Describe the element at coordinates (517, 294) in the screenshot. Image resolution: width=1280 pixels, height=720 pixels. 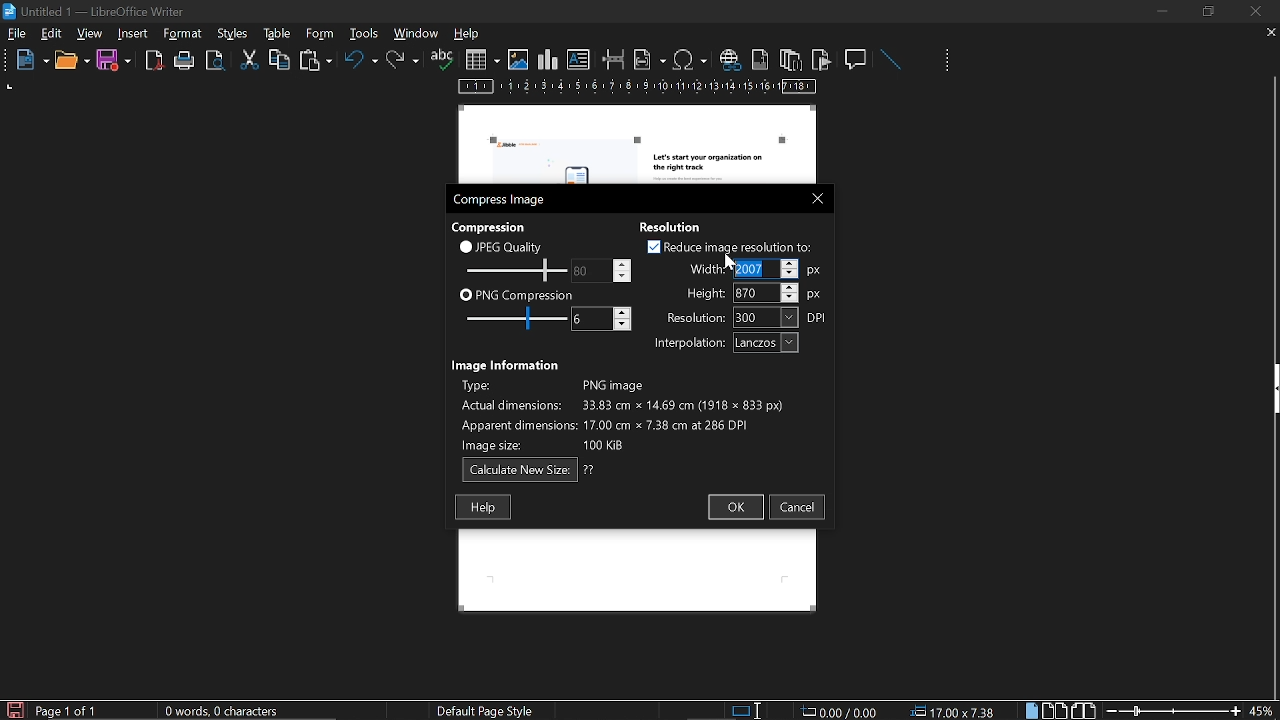
I see `png compression` at that location.